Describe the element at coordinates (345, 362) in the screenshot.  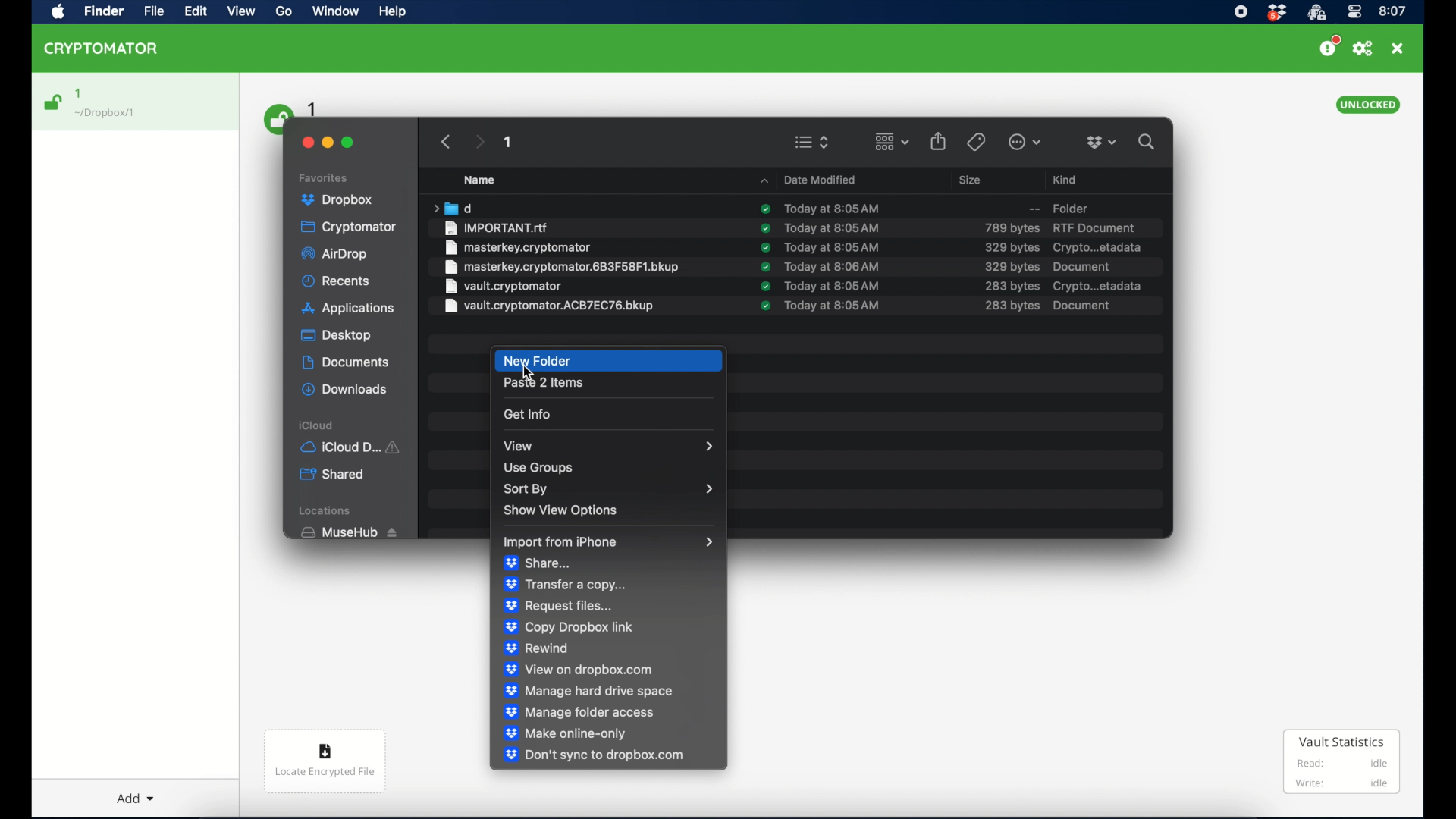
I see `documents` at that location.